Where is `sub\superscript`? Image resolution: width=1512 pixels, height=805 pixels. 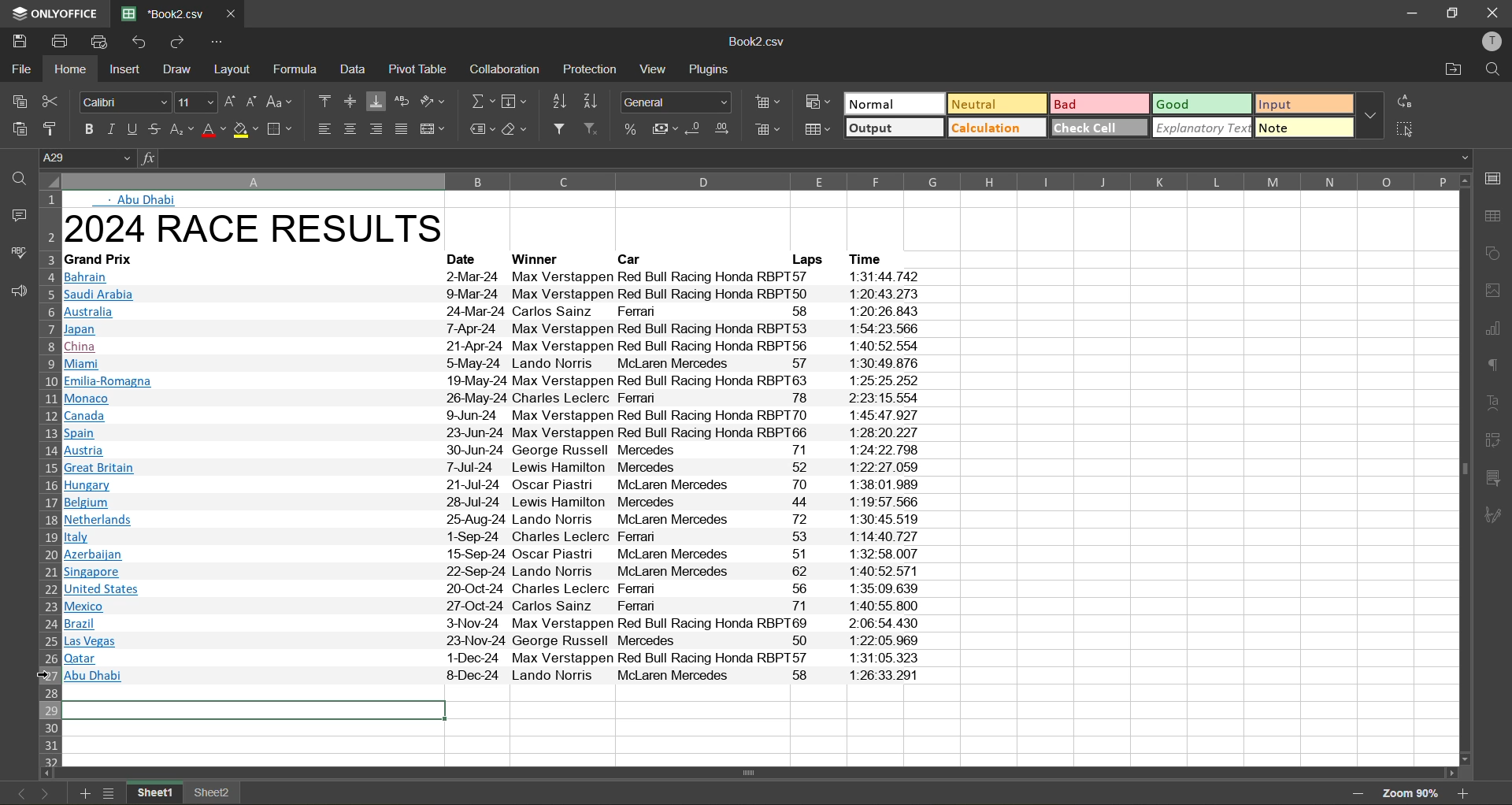
sub\superscript is located at coordinates (180, 131).